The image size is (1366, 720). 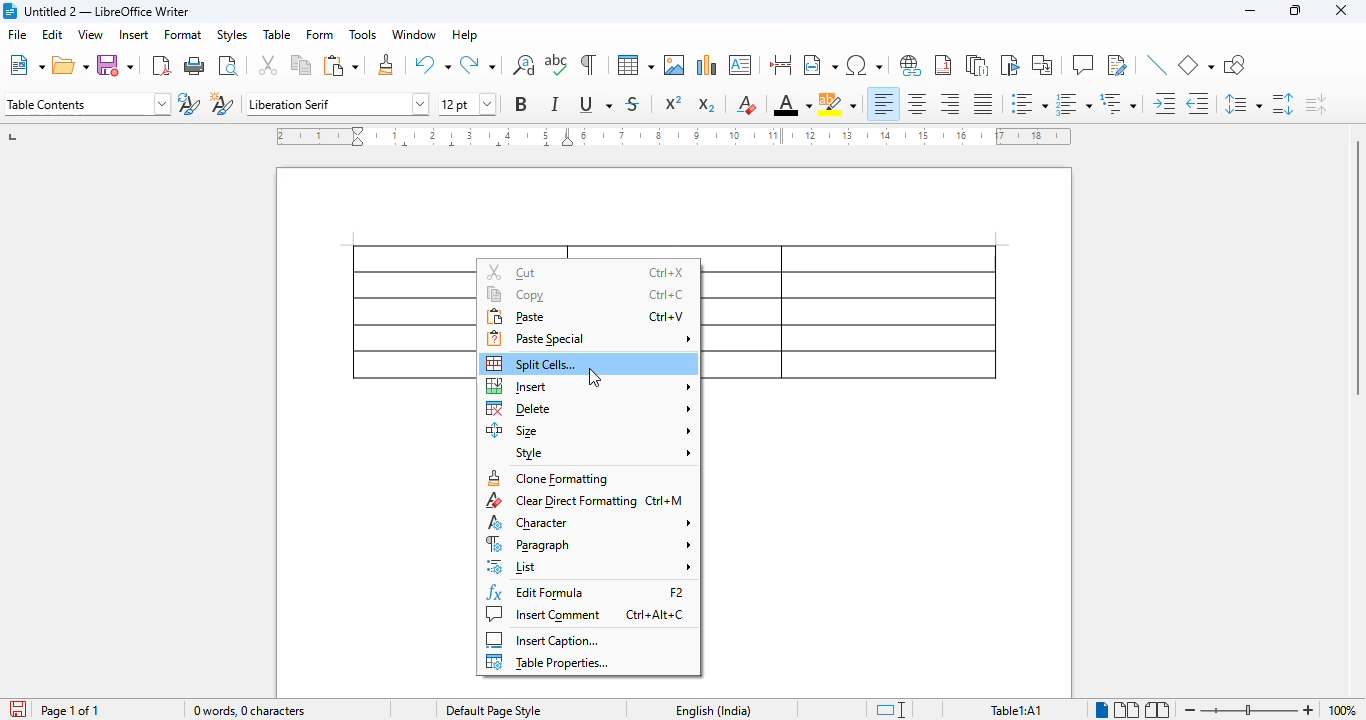 What do you see at coordinates (884, 104) in the screenshot?
I see `align left` at bounding box center [884, 104].